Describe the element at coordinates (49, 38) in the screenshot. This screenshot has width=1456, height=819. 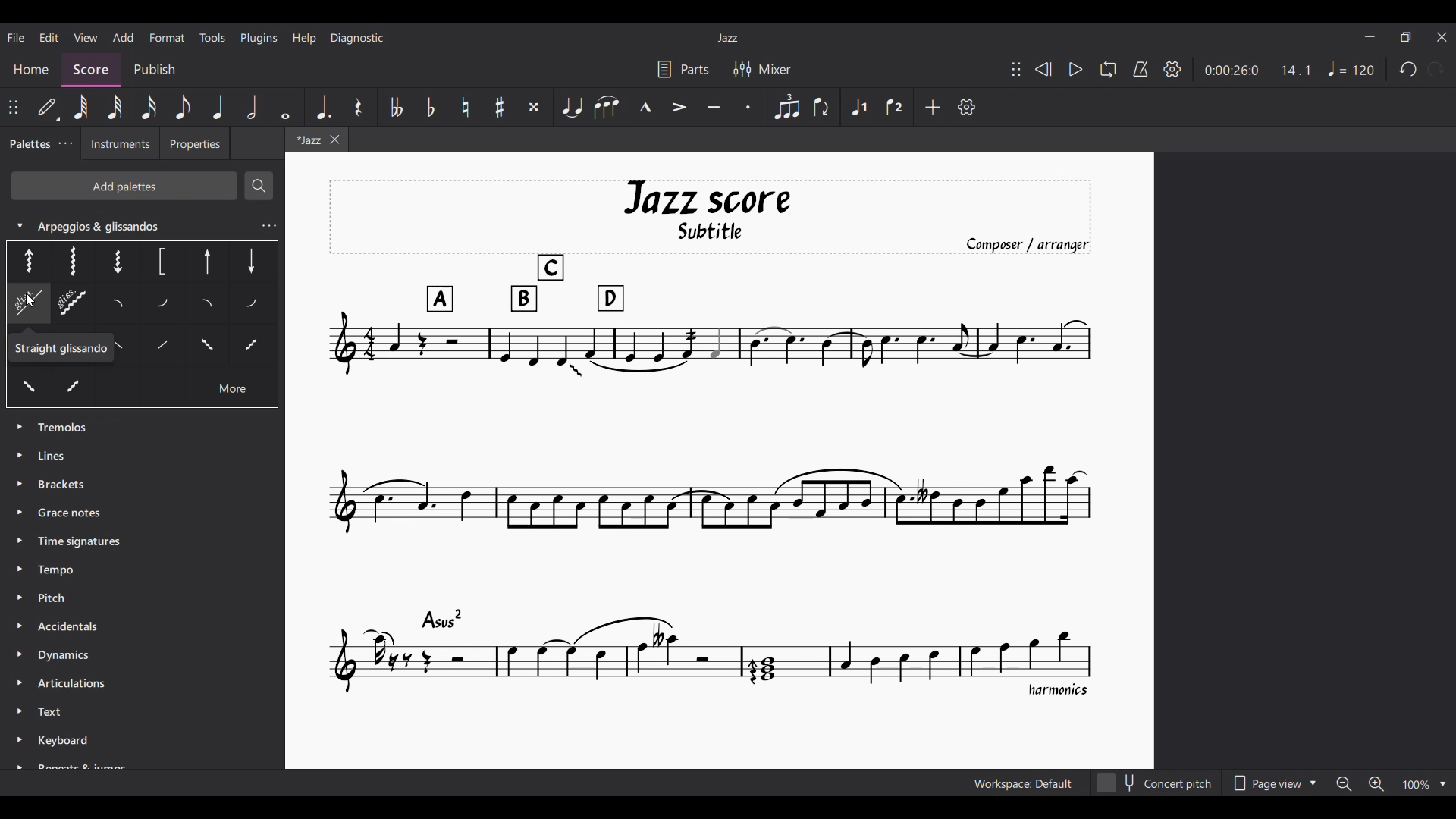
I see `Edit menu` at that location.